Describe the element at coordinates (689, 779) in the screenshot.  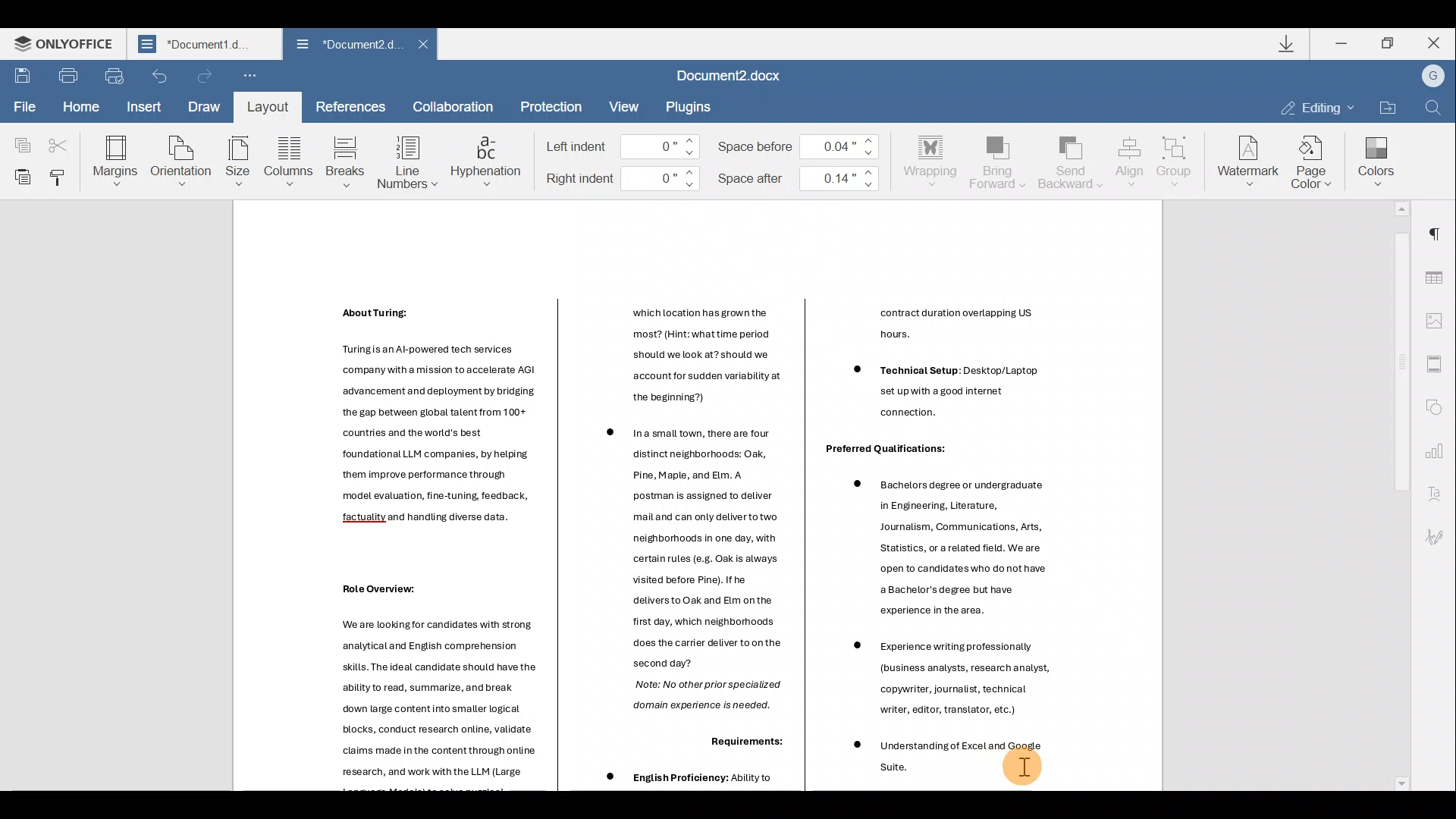
I see `` at that location.